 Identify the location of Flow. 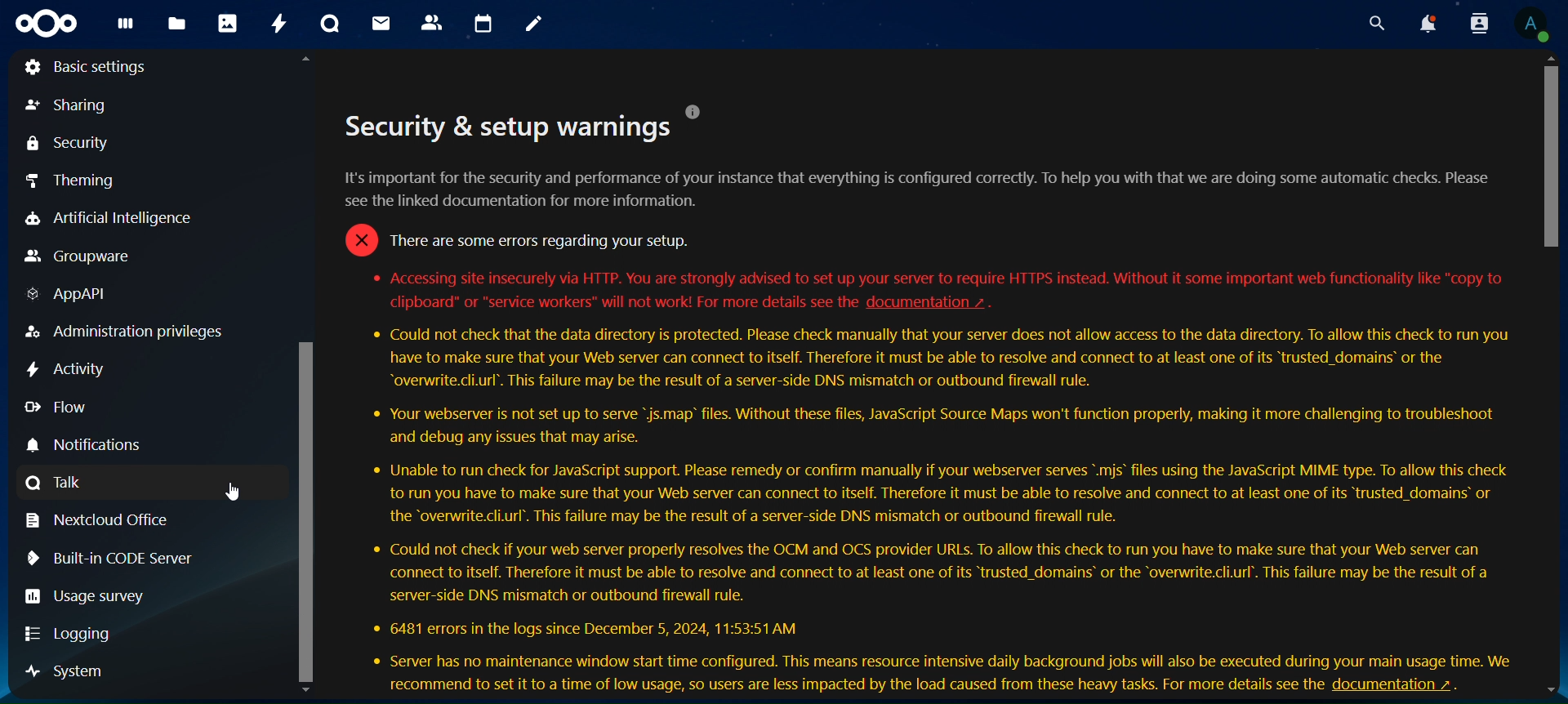
(74, 409).